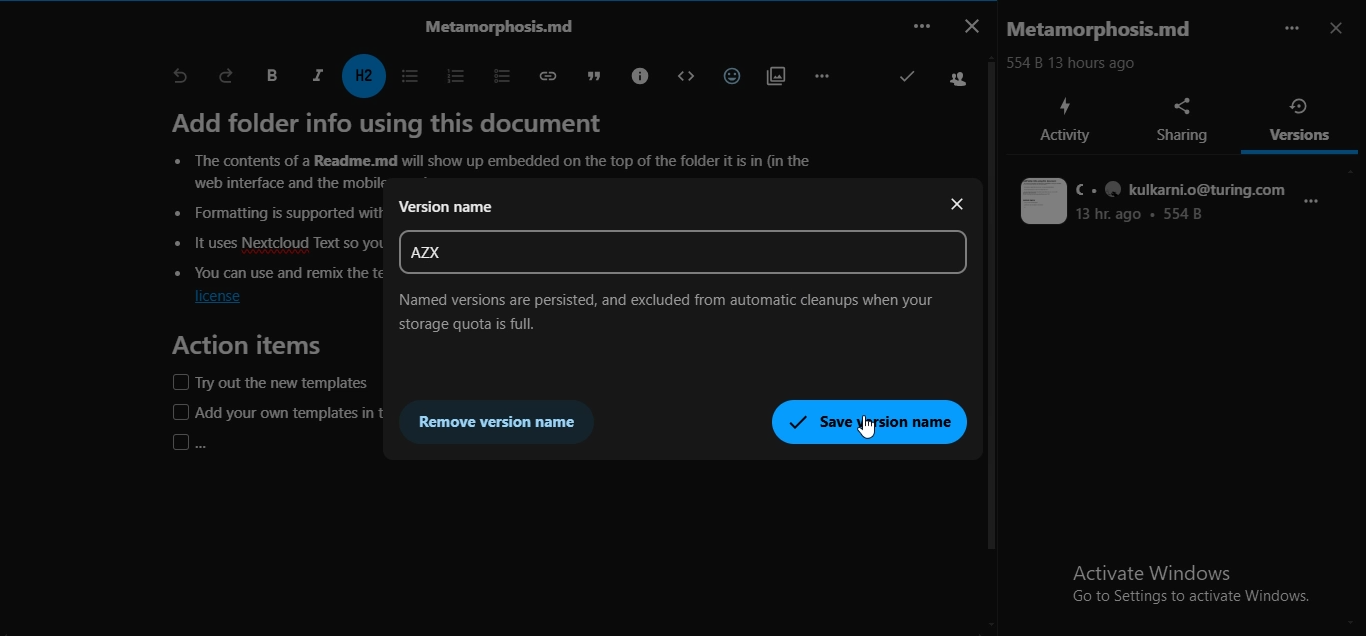 This screenshot has width=1366, height=636. I want to click on redo, so click(227, 75).